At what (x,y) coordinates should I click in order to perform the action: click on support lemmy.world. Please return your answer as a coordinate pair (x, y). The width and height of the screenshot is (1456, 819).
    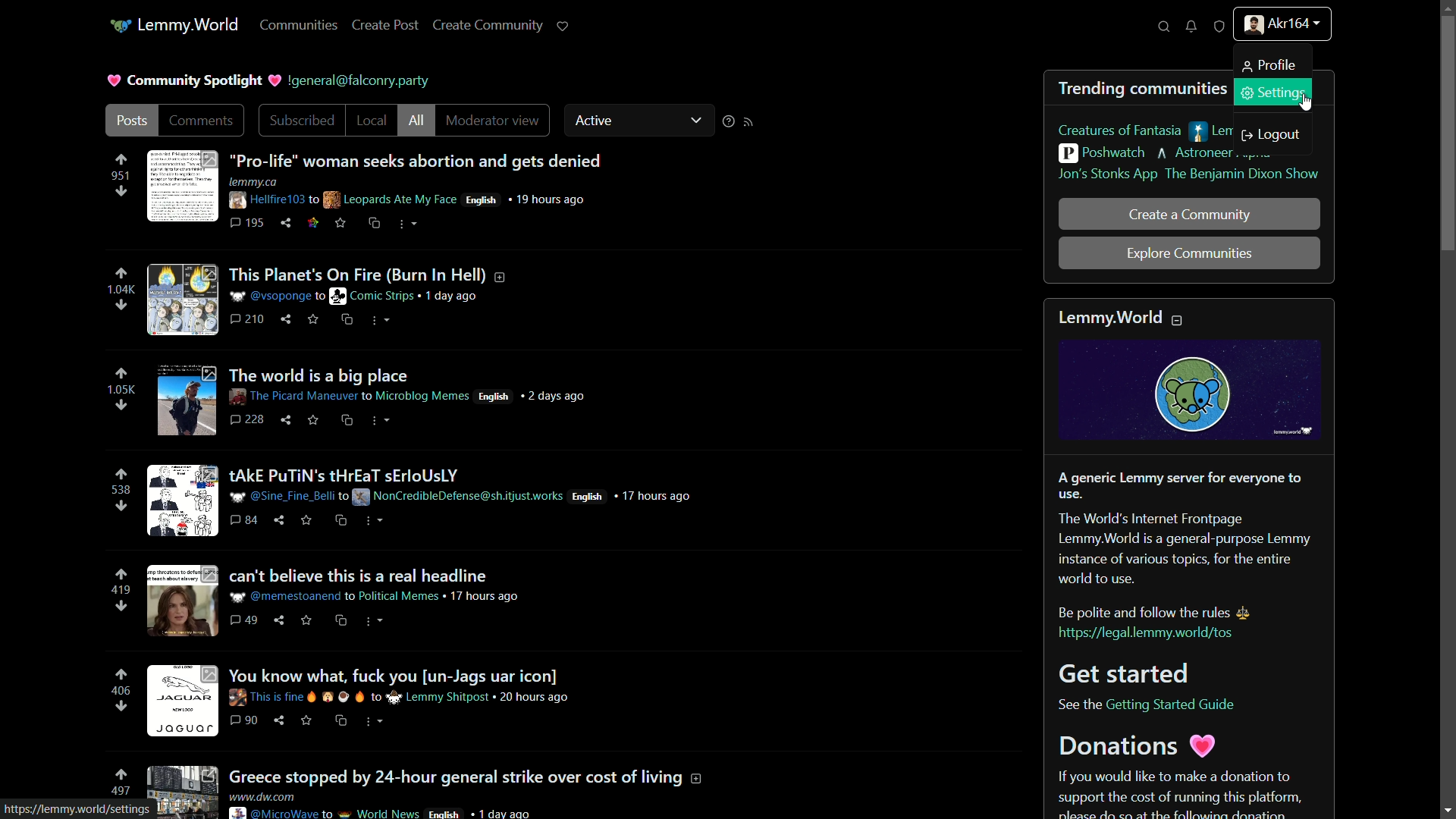
    Looking at the image, I should click on (563, 24).